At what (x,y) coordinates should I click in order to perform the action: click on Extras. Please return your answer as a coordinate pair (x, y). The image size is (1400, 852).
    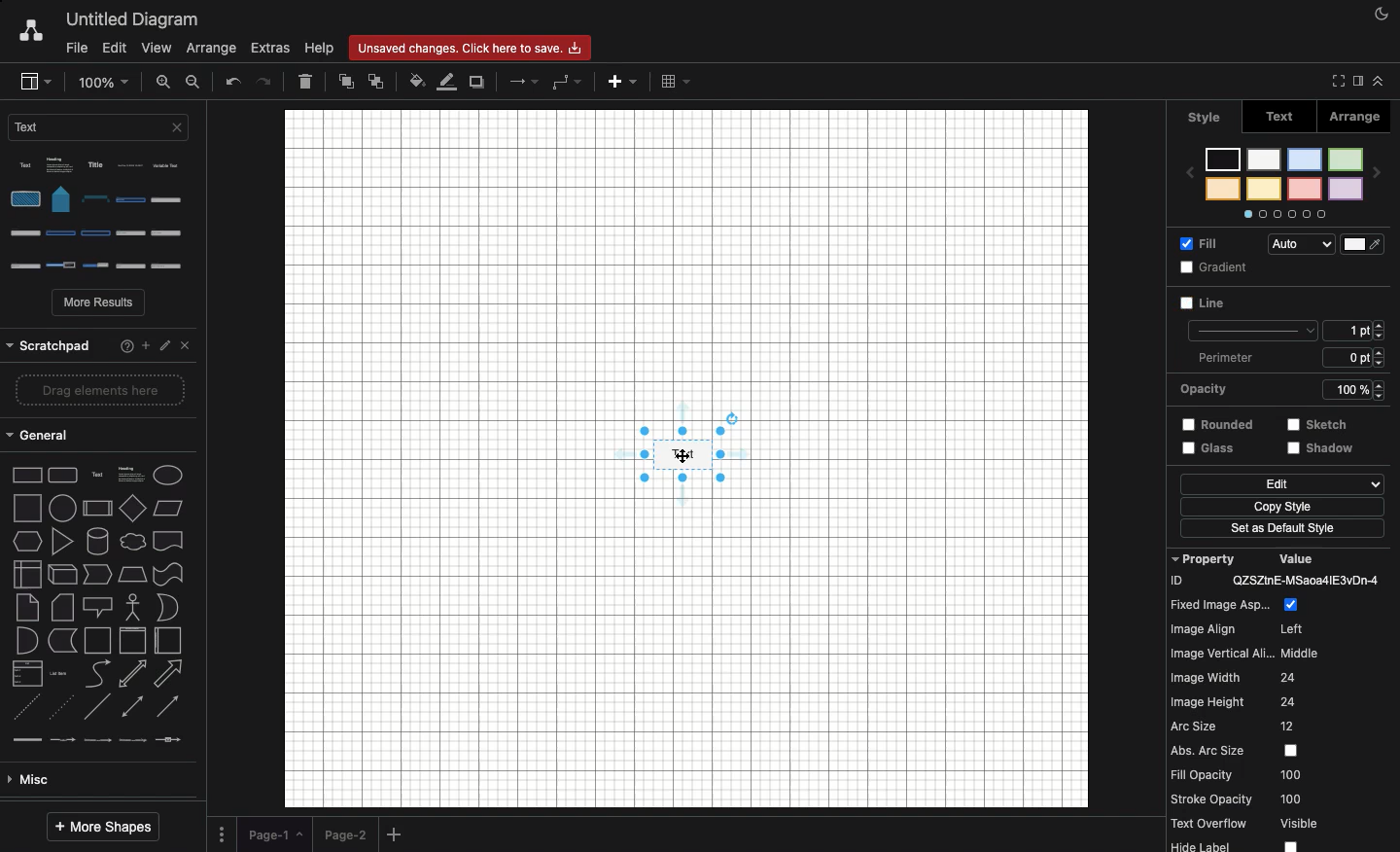
    Looking at the image, I should click on (271, 49).